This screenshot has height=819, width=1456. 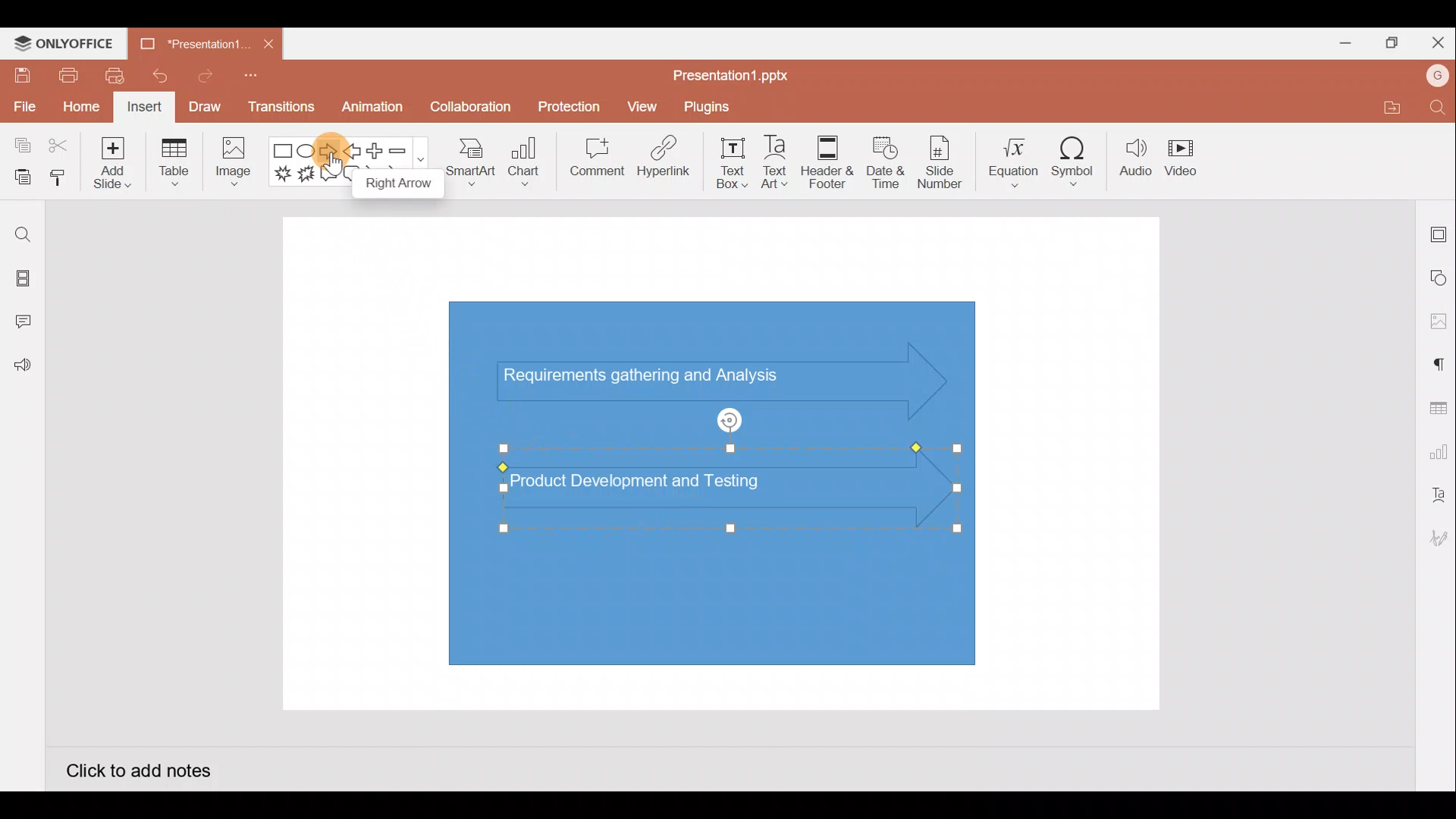 I want to click on Comment, so click(x=591, y=160).